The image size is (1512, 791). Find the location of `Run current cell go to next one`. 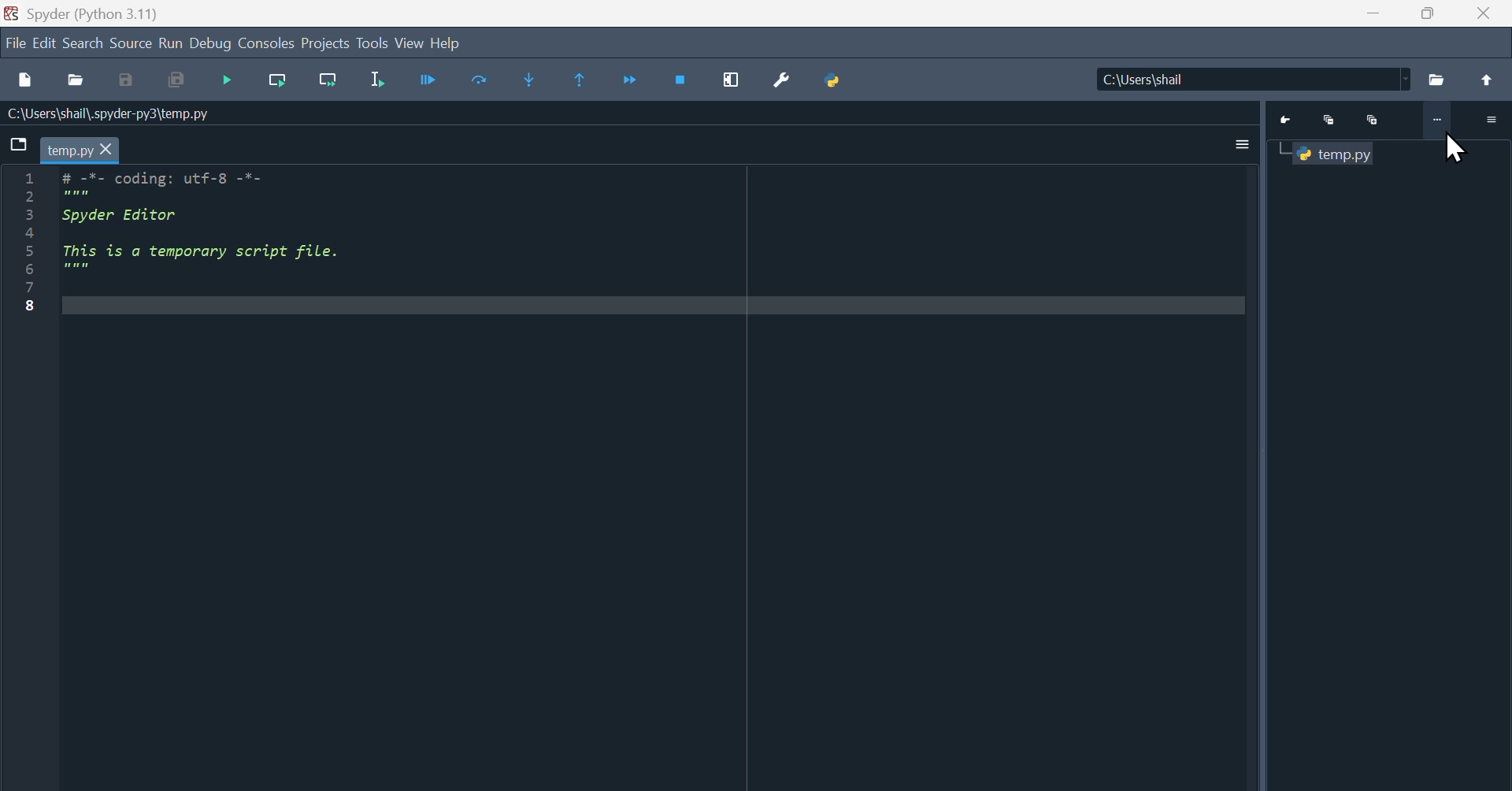

Run current cell go to next one is located at coordinates (328, 81).